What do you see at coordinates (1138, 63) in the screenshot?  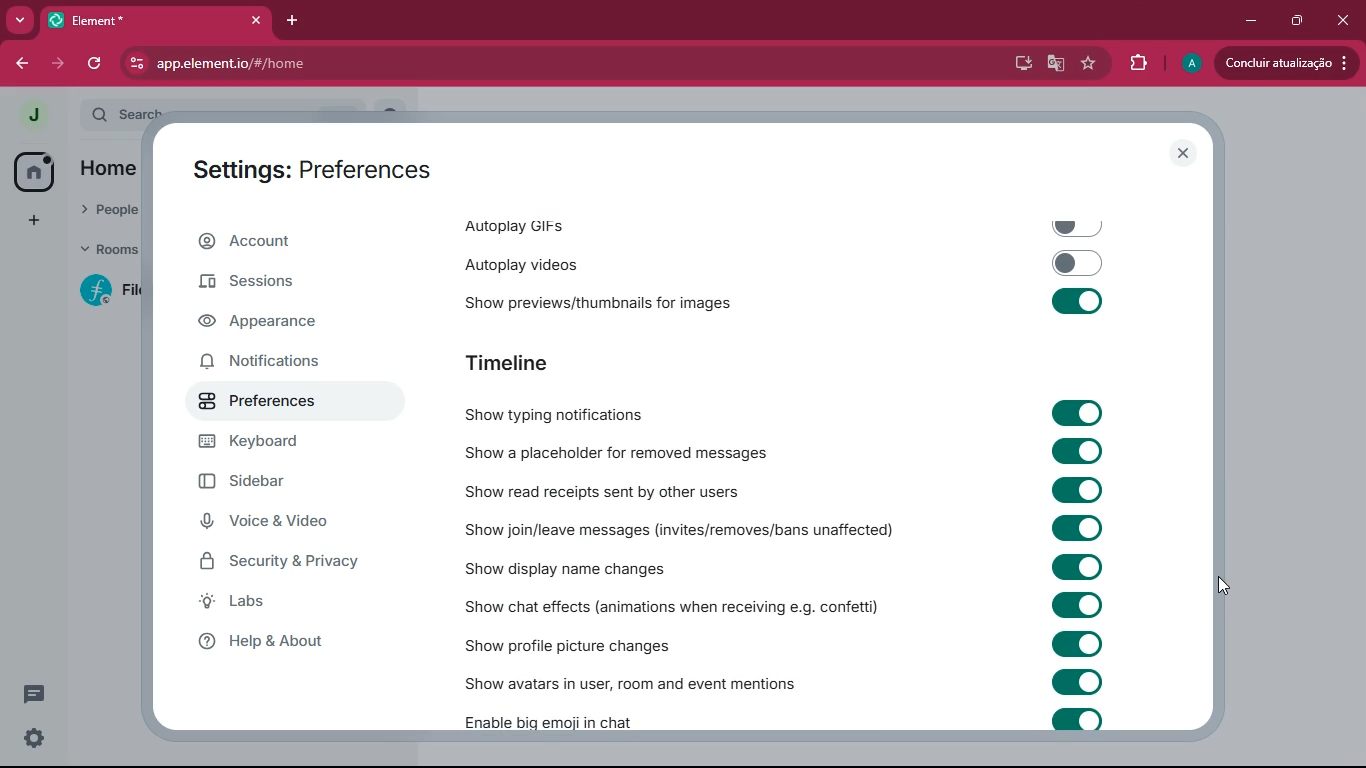 I see `extensions` at bounding box center [1138, 63].